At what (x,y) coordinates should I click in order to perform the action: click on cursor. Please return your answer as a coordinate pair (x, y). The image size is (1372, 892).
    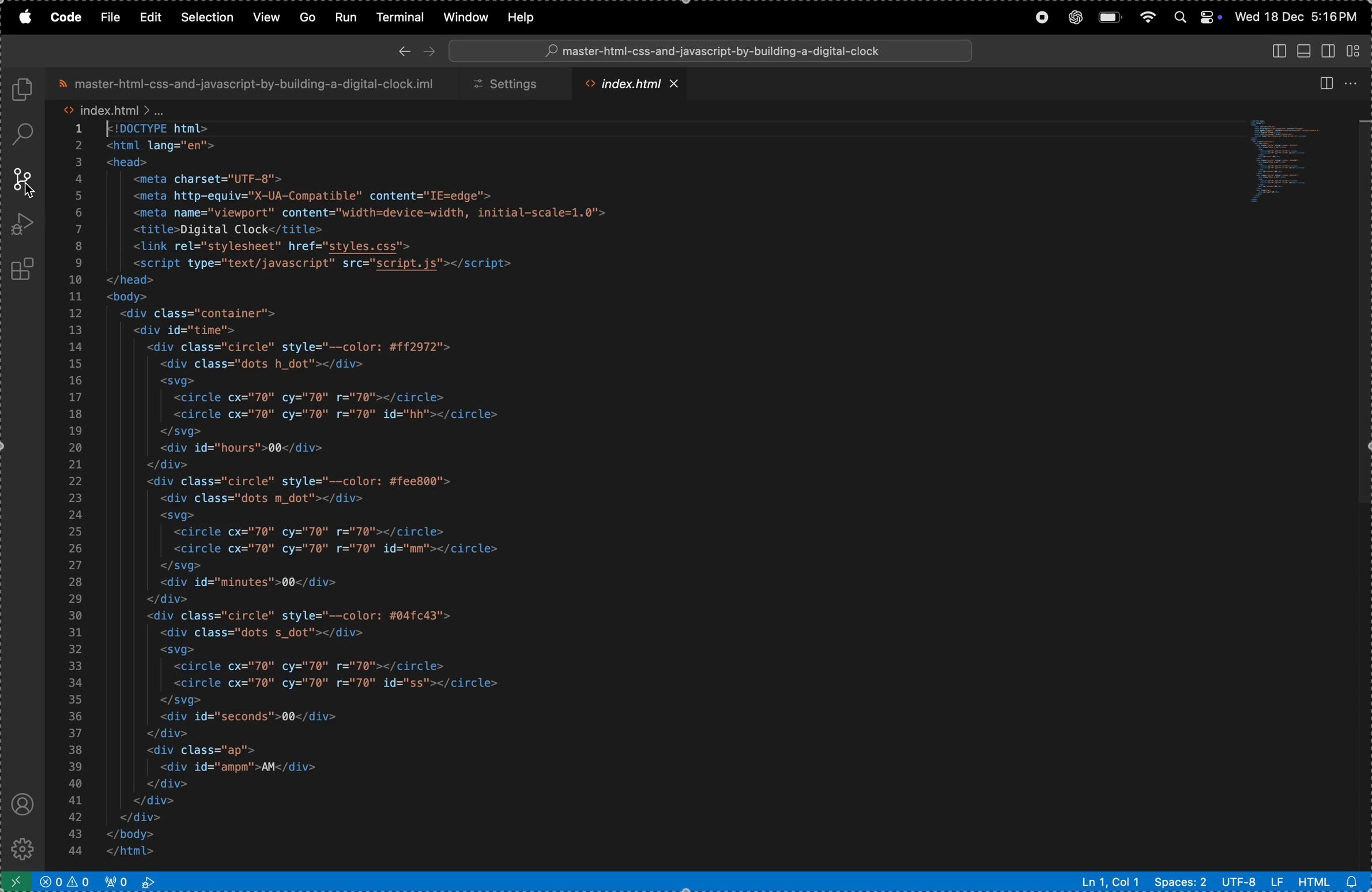
    Looking at the image, I should click on (32, 188).